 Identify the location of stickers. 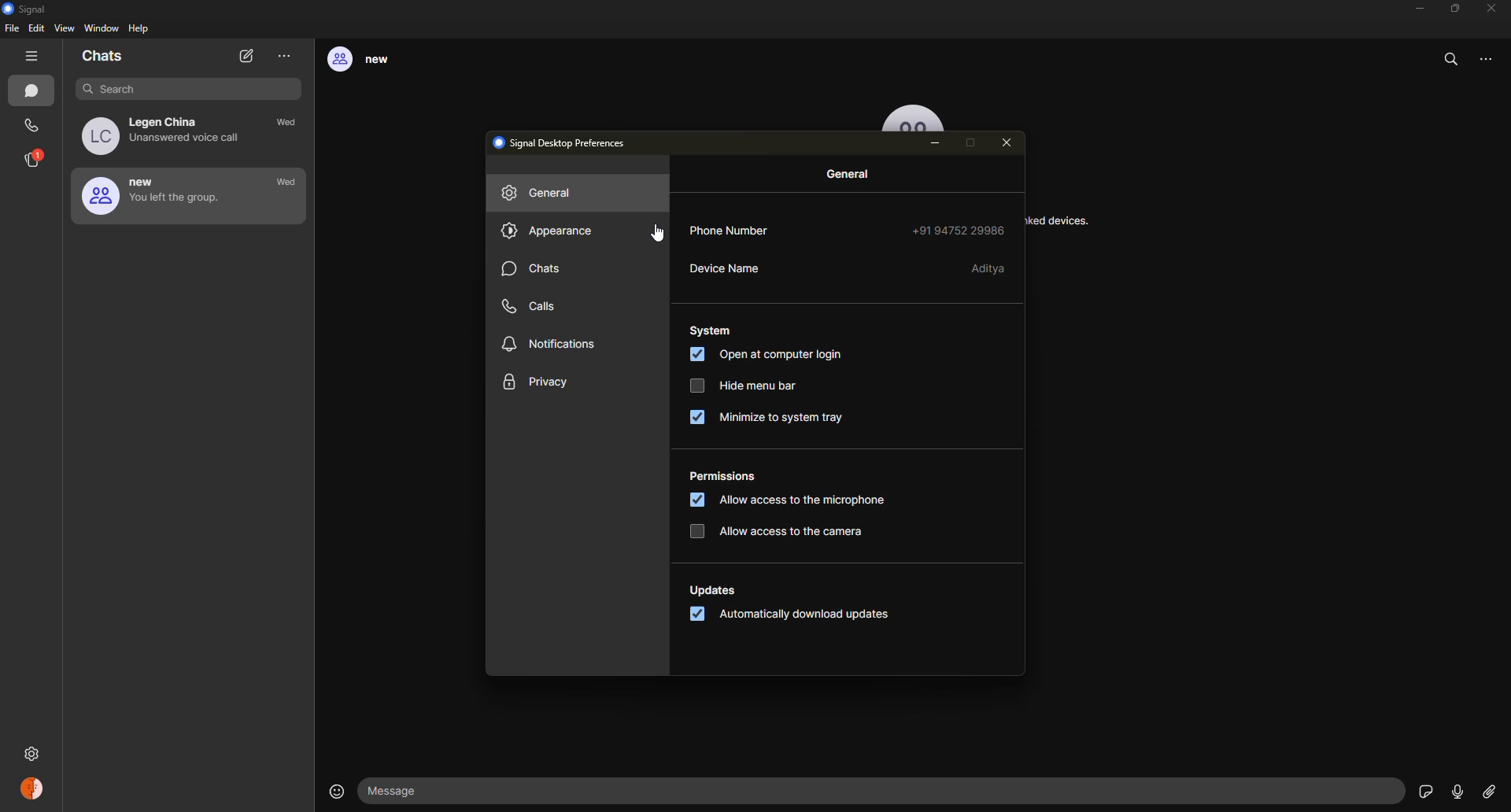
(1424, 790).